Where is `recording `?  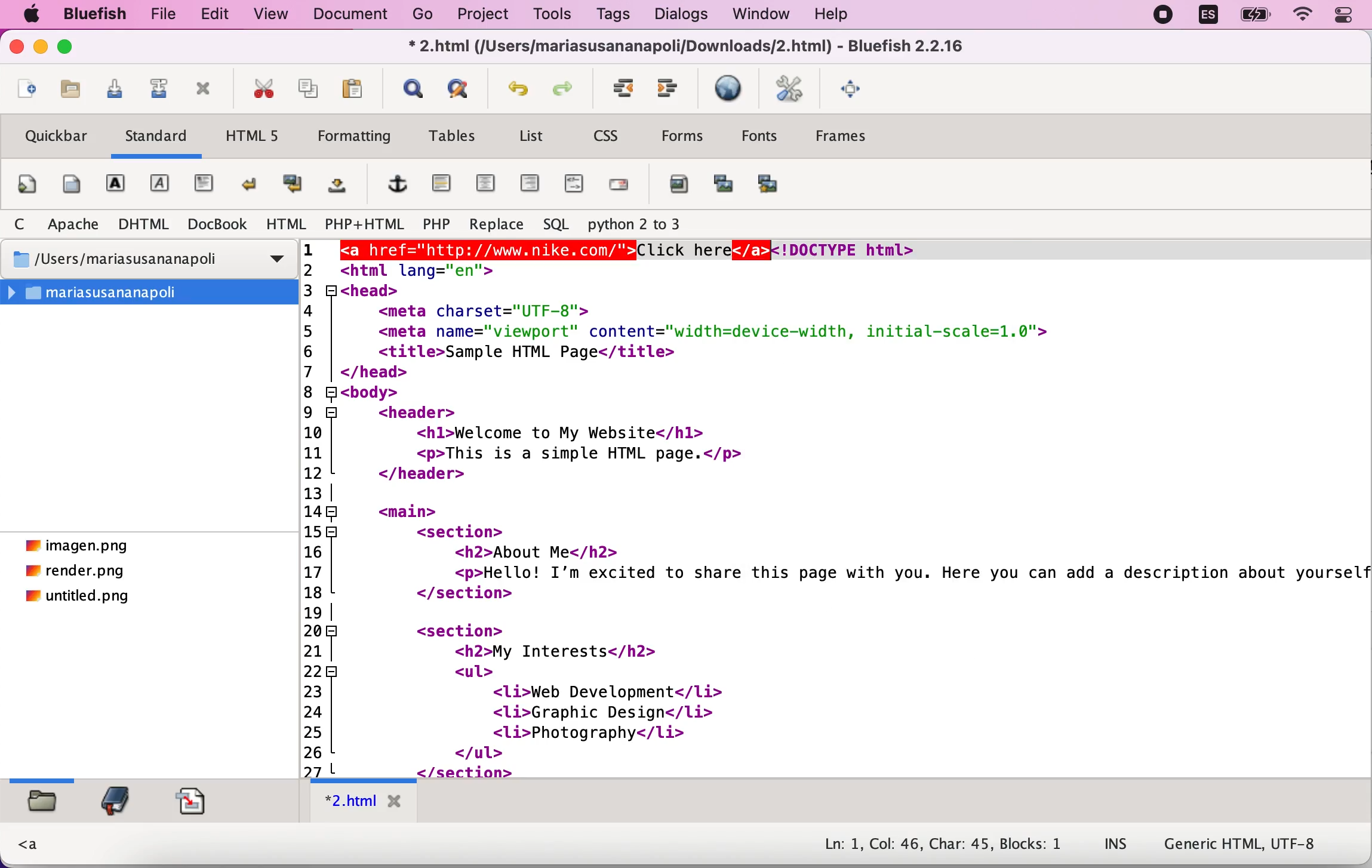
recording  is located at coordinates (1164, 18).